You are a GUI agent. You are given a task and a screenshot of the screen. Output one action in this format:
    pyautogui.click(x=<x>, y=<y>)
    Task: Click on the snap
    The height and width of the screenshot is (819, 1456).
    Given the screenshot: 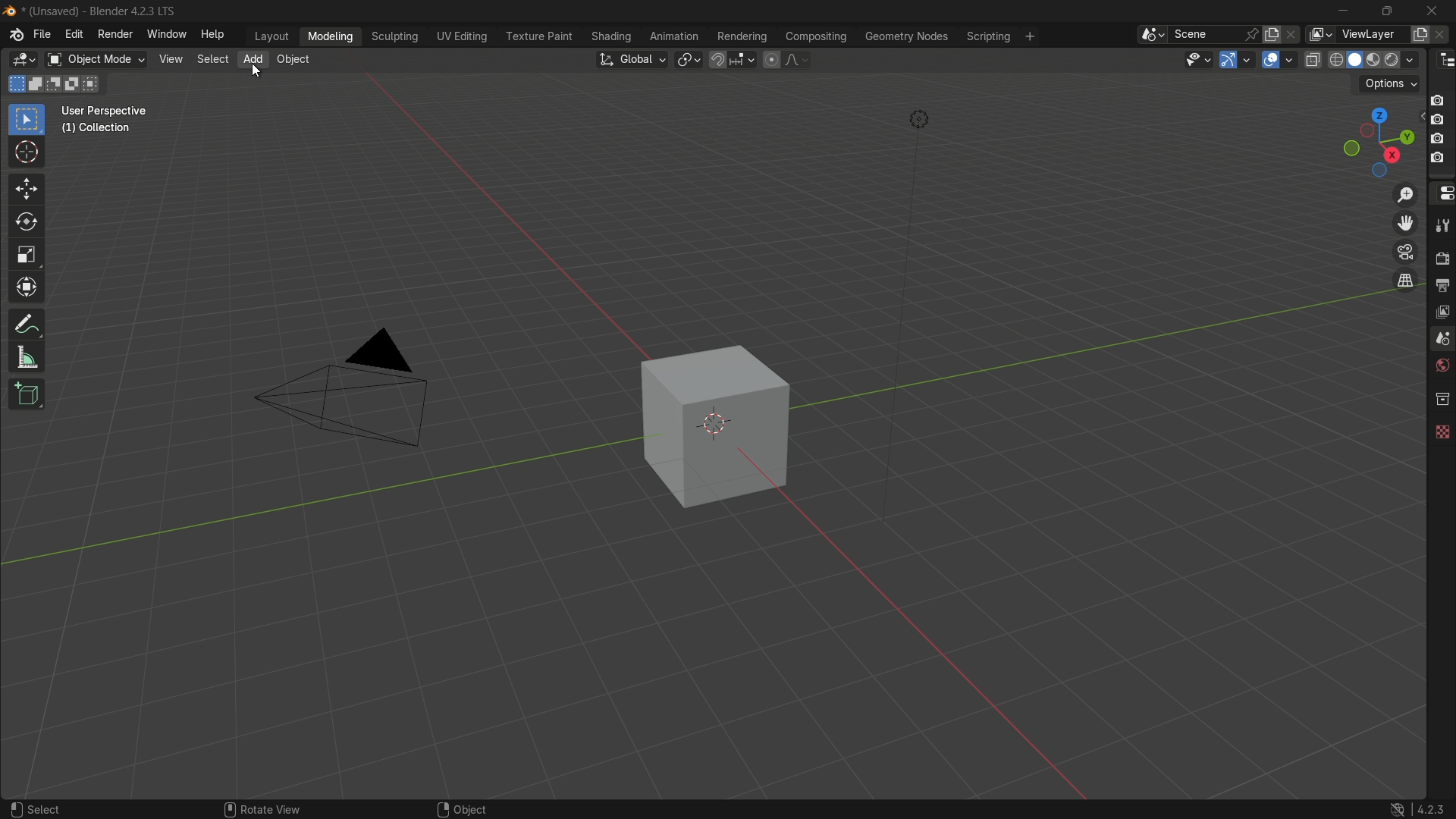 What is the action you would take?
    pyautogui.click(x=732, y=59)
    